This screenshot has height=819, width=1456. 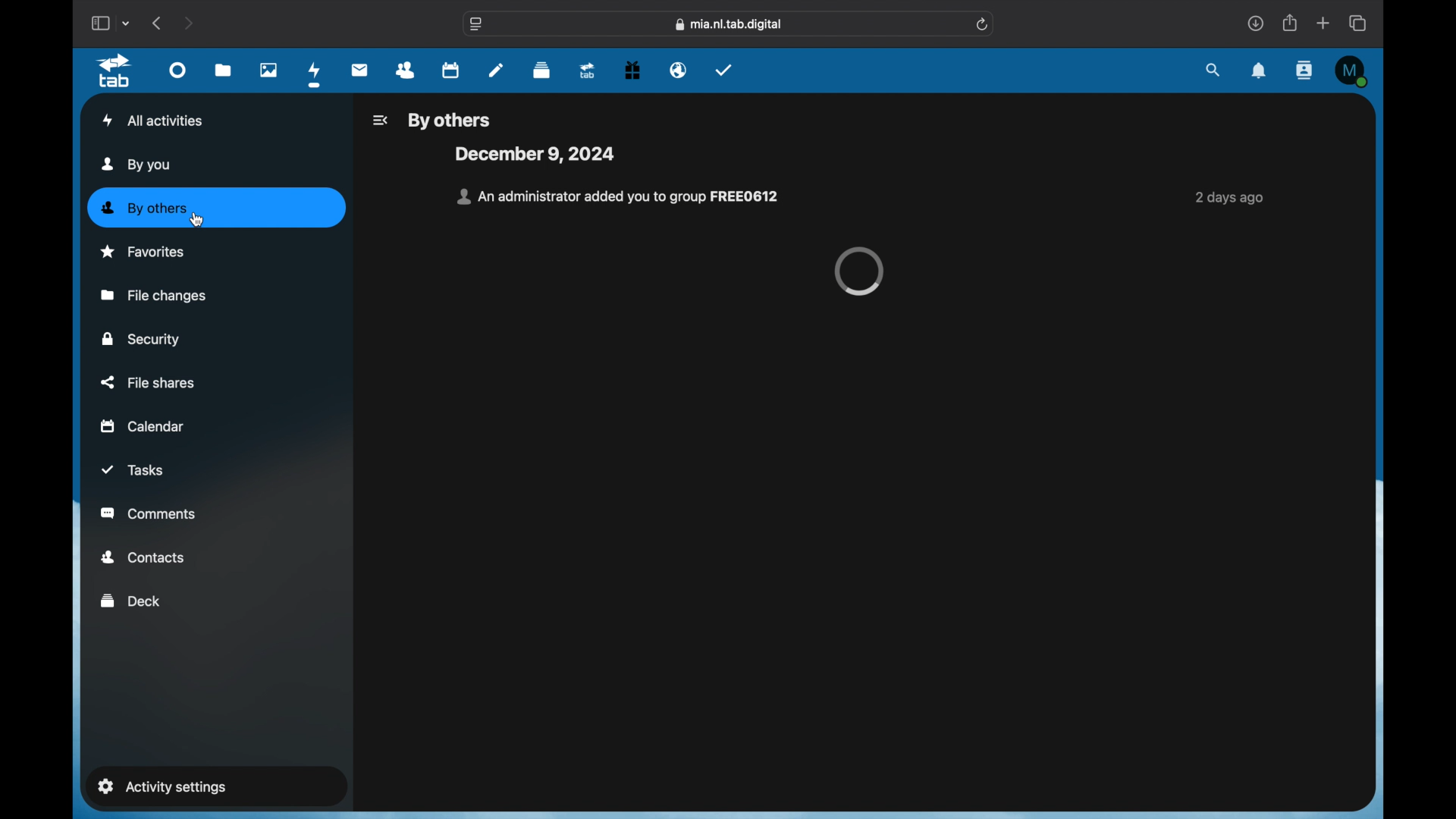 I want to click on all activities, so click(x=153, y=120).